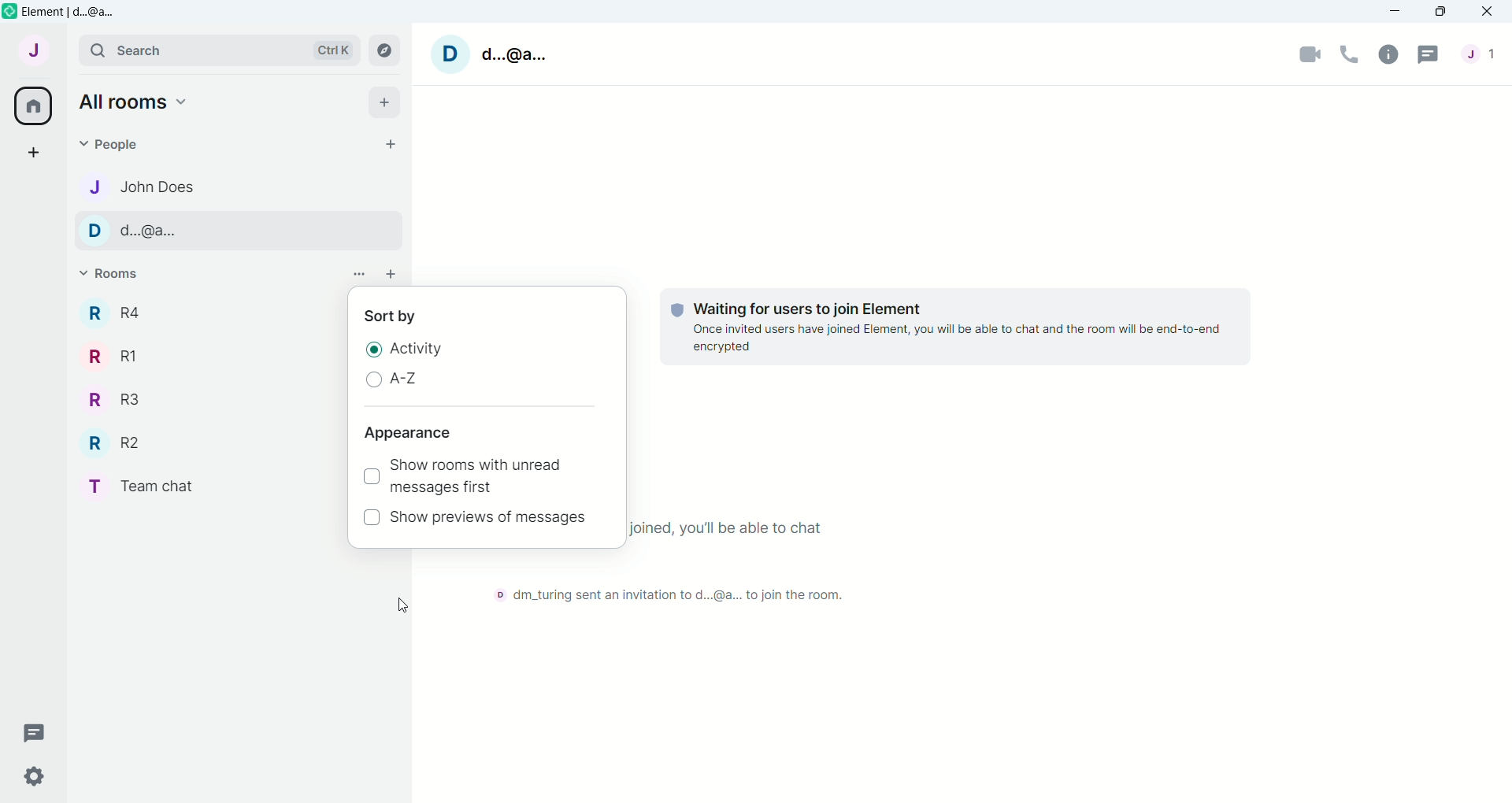 The image size is (1512, 803). Describe the element at coordinates (122, 313) in the screenshot. I see `Room R4` at that location.